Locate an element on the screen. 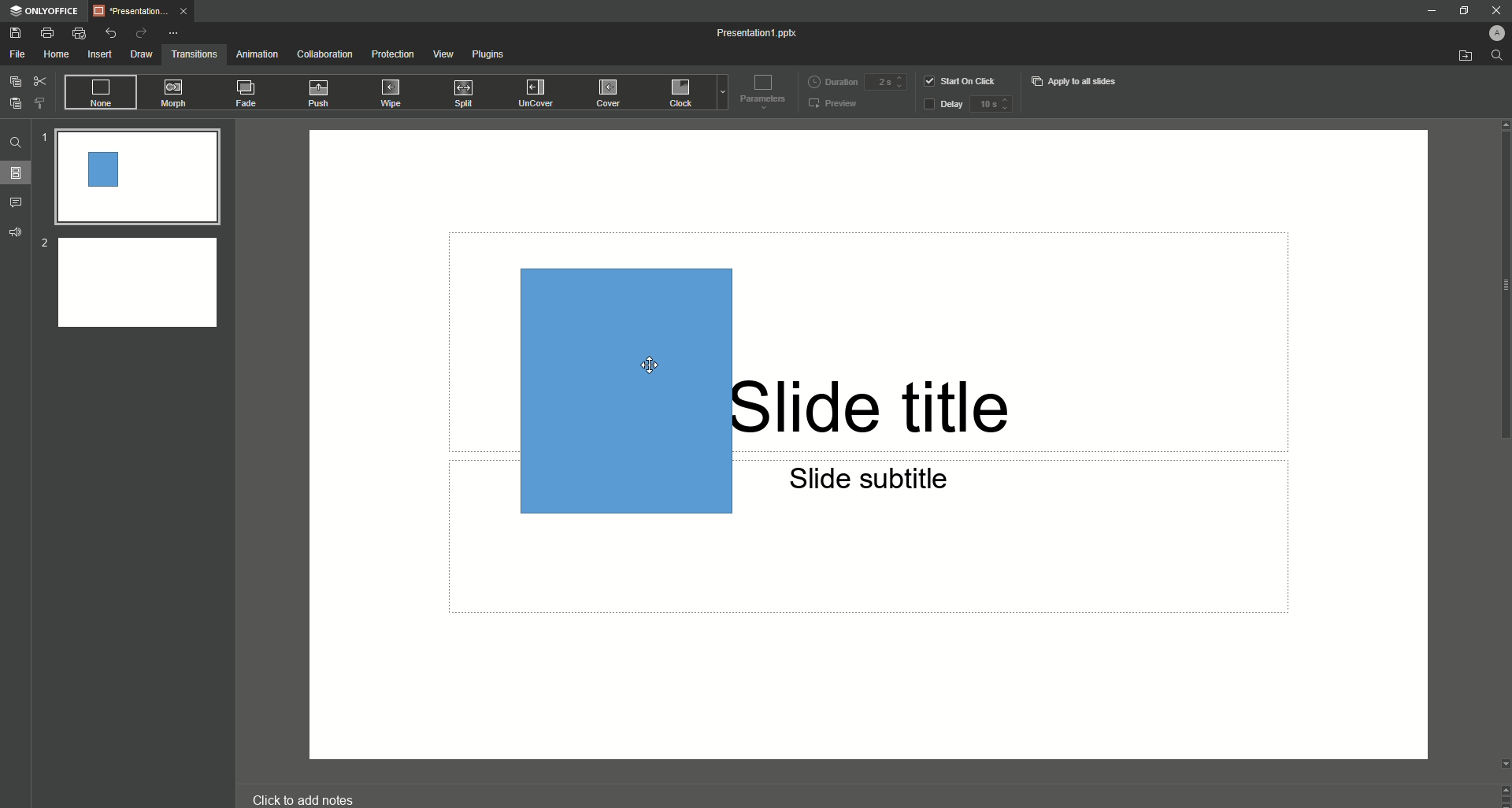 The width and height of the screenshot is (1512, 808). Home is located at coordinates (54, 54).